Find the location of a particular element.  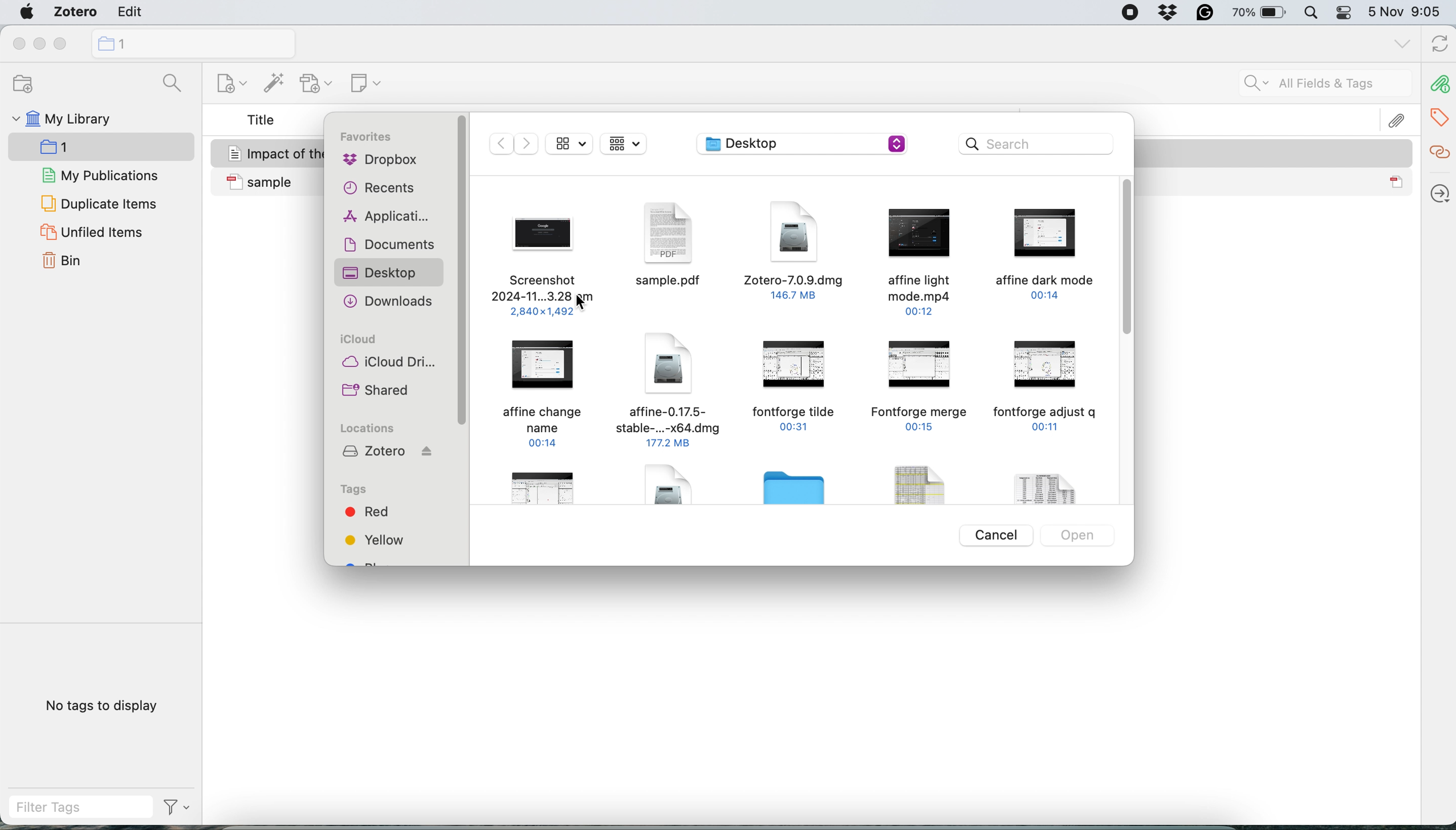

sample is located at coordinates (270, 182).